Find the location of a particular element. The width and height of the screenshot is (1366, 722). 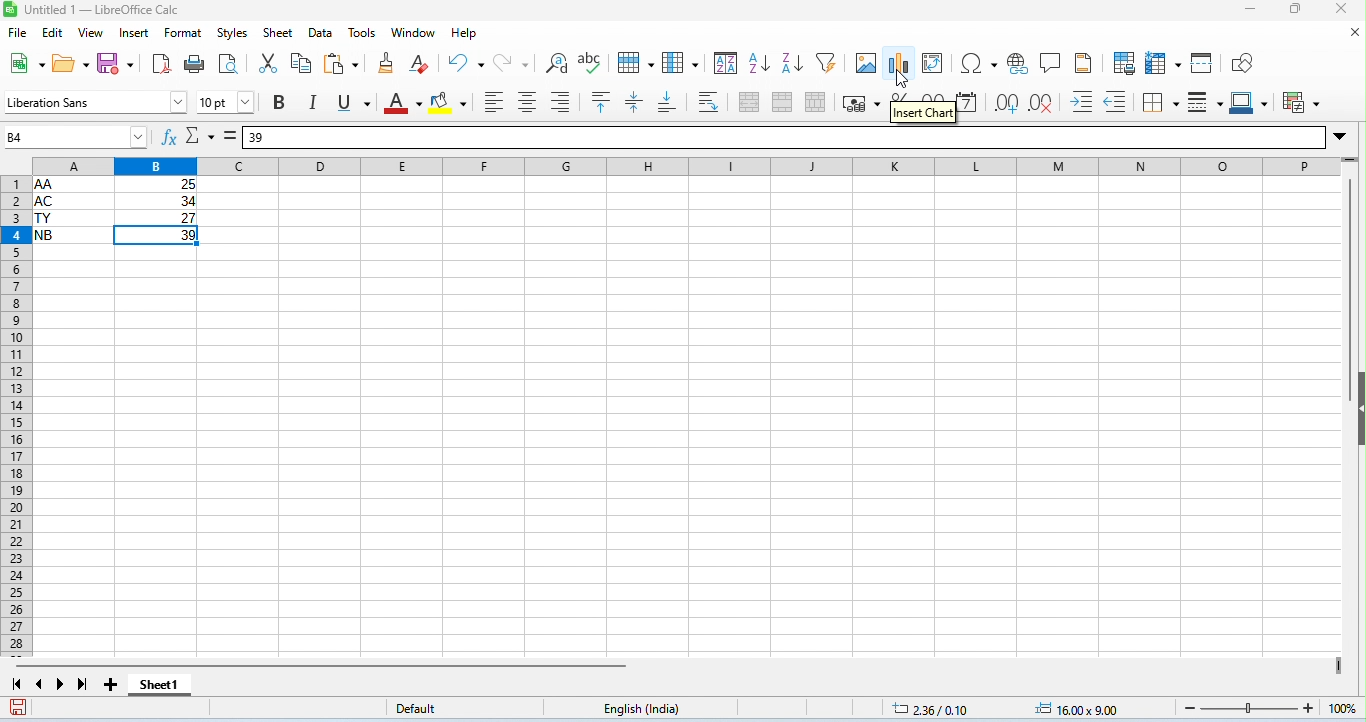

merge is located at coordinates (782, 102).